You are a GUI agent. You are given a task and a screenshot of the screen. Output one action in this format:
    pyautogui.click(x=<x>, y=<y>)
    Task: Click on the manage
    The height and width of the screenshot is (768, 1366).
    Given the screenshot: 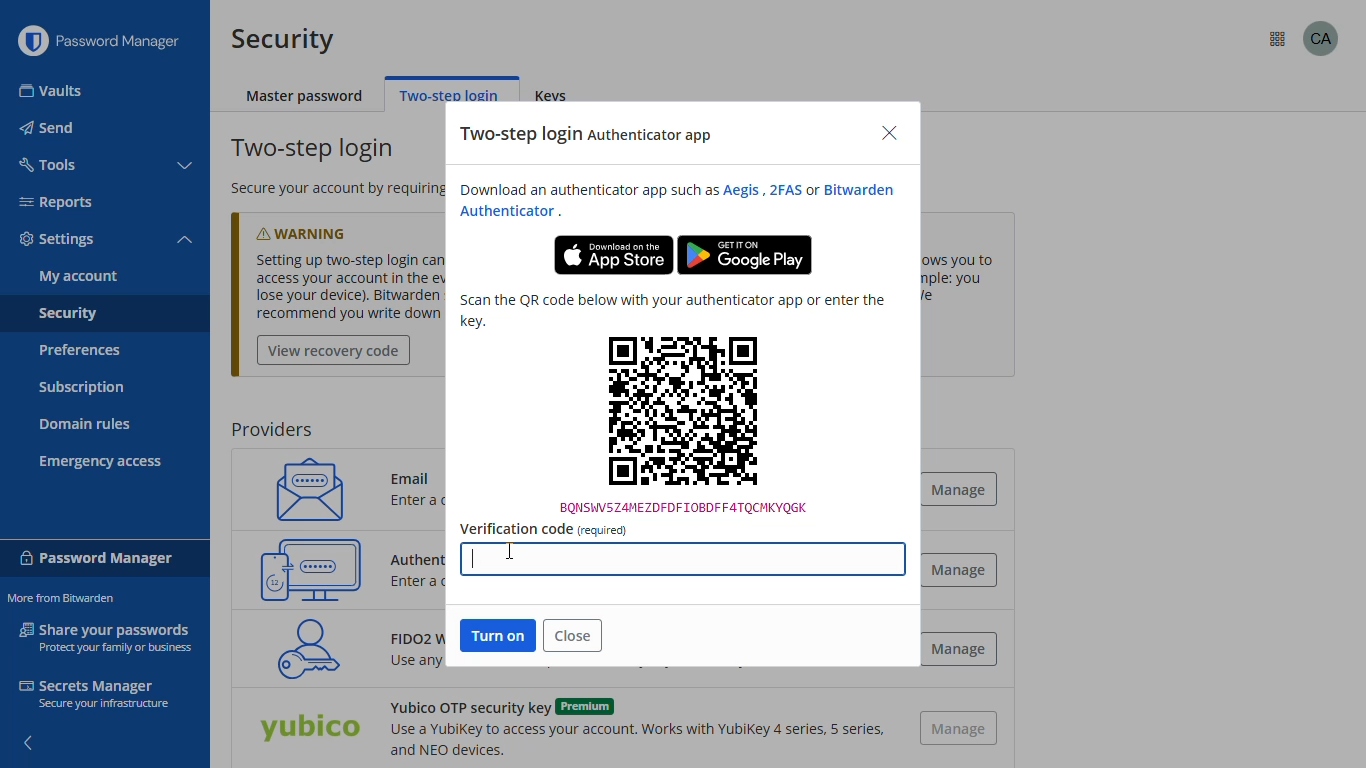 What is the action you would take?
    pyautogui.click(x=960, y=729)
    